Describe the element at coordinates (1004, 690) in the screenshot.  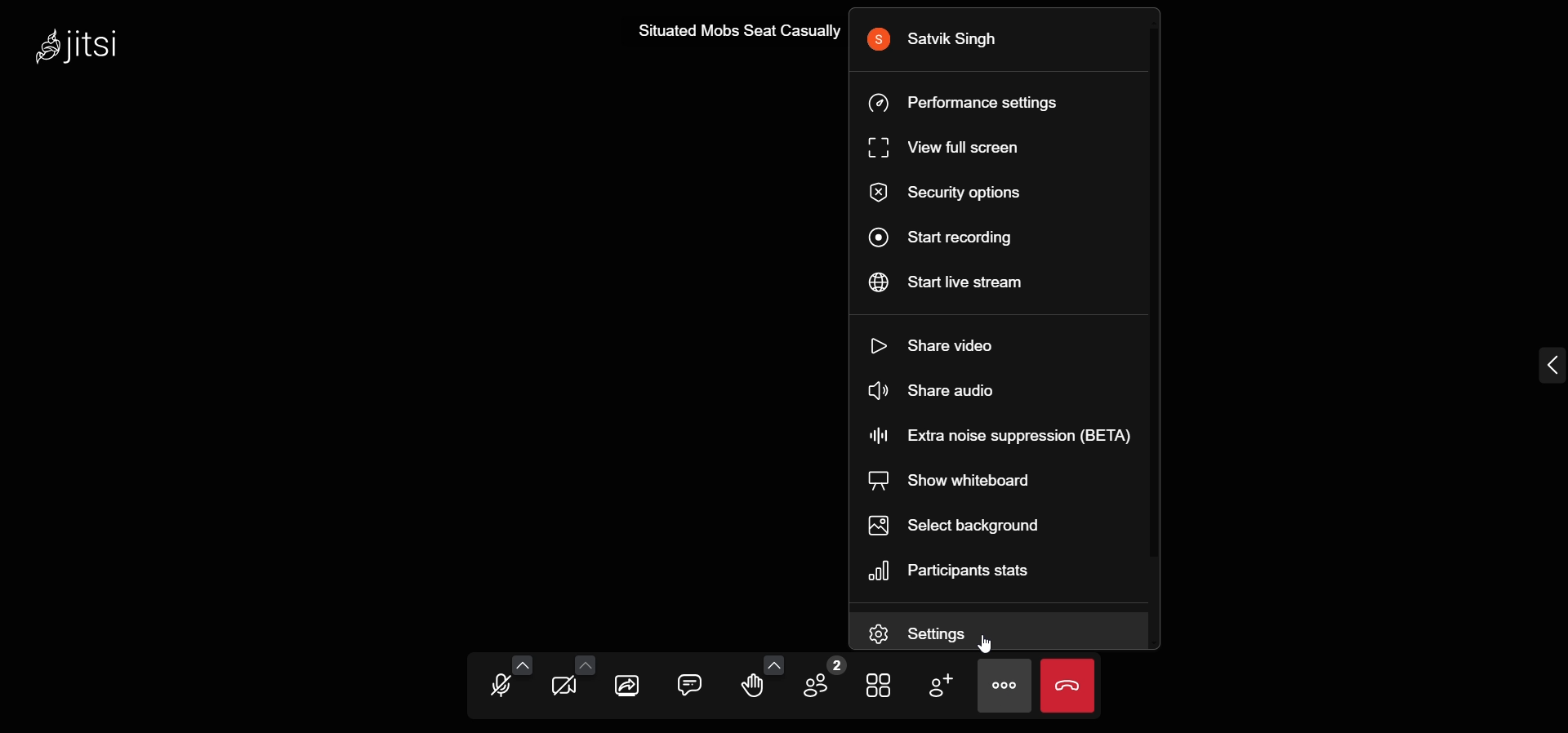
I see `more` at that location.